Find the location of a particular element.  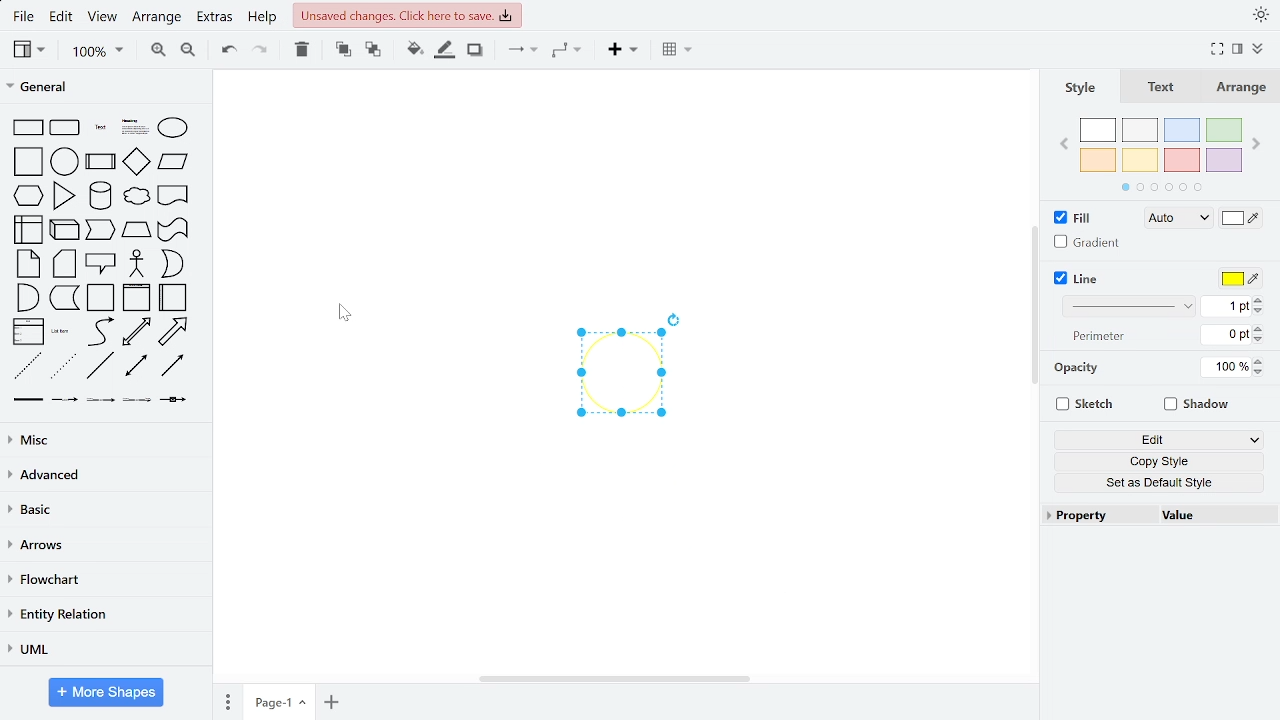

property is located at coordinates (1097, 516).